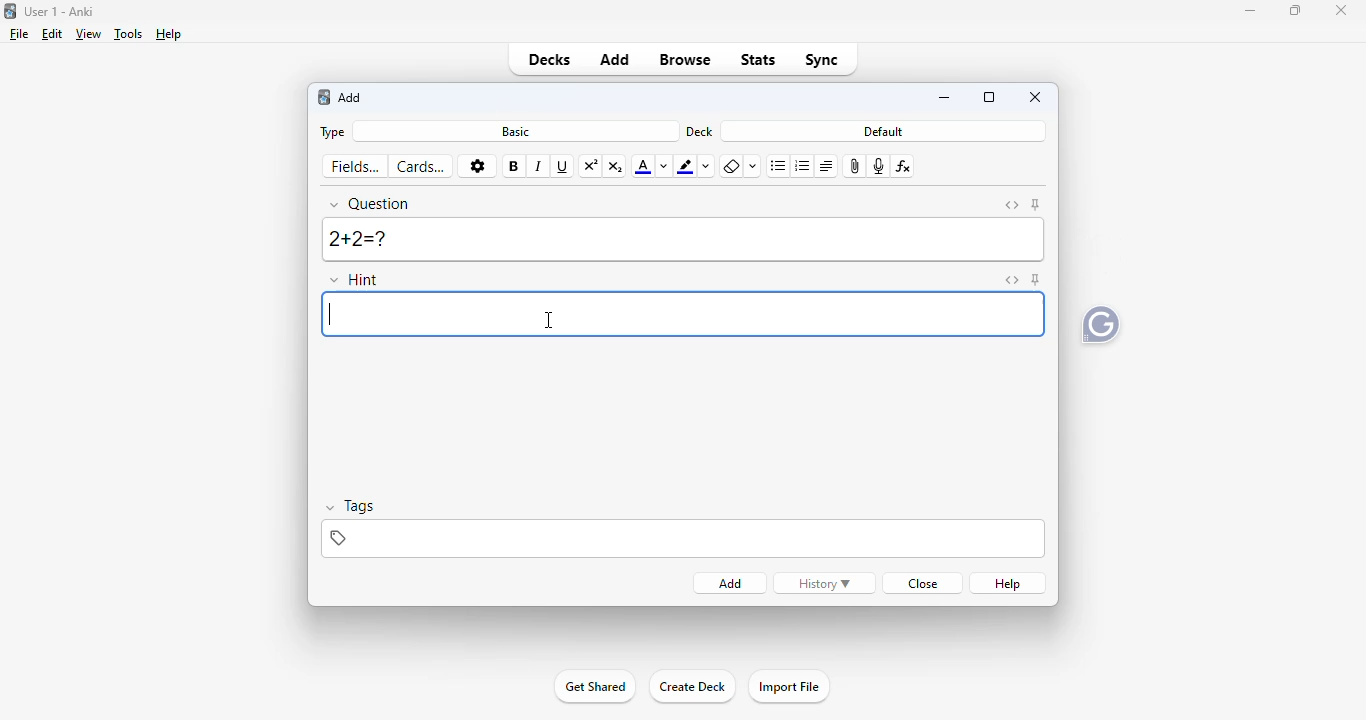 The width and height of the screenshot is (1366, 720). Describe the element at coordinates (685, 60) in the screenshot. I see `browse` at that location.